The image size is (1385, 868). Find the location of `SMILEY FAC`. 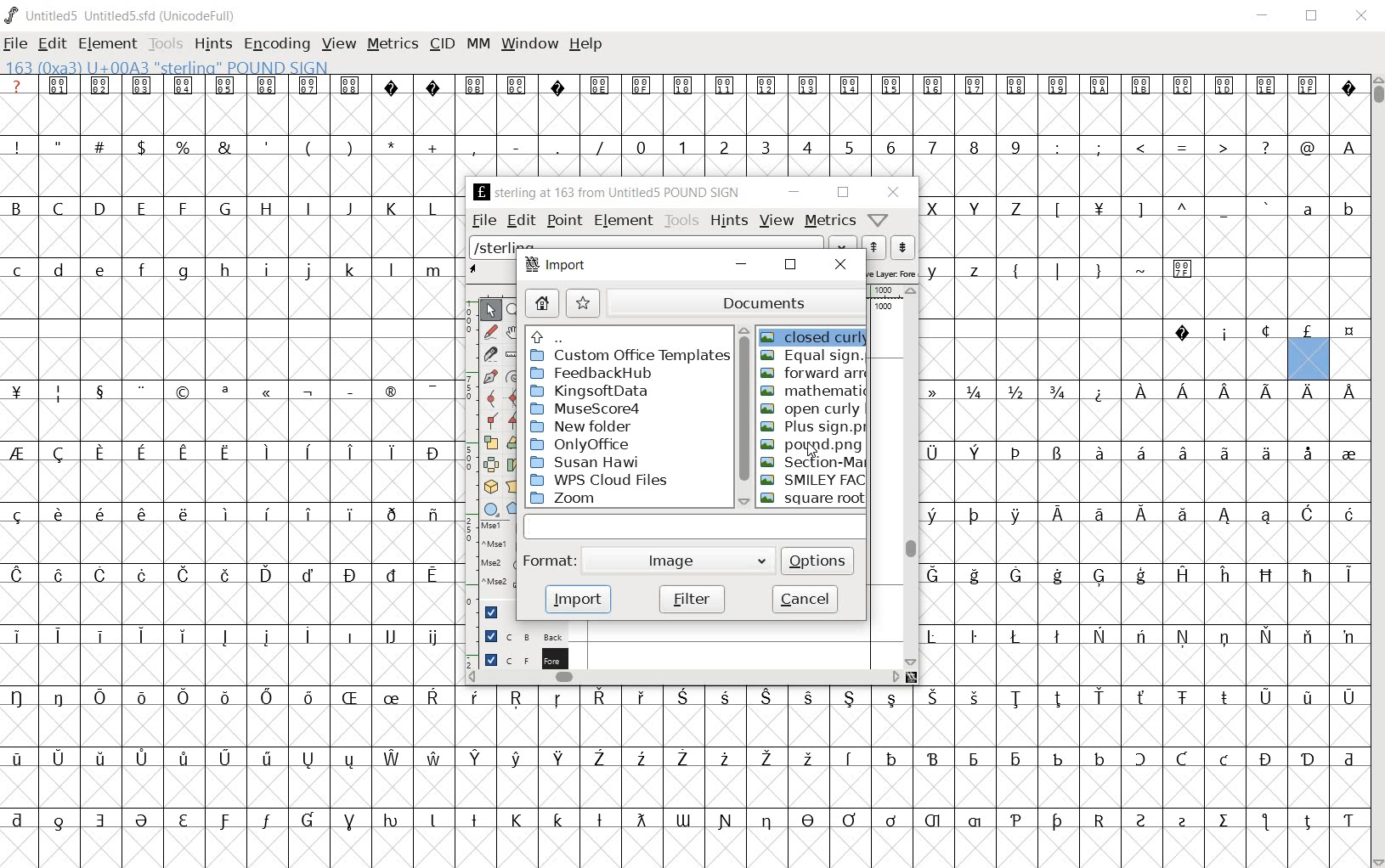

SMILEY FAC is located at coordinates (811, 479).